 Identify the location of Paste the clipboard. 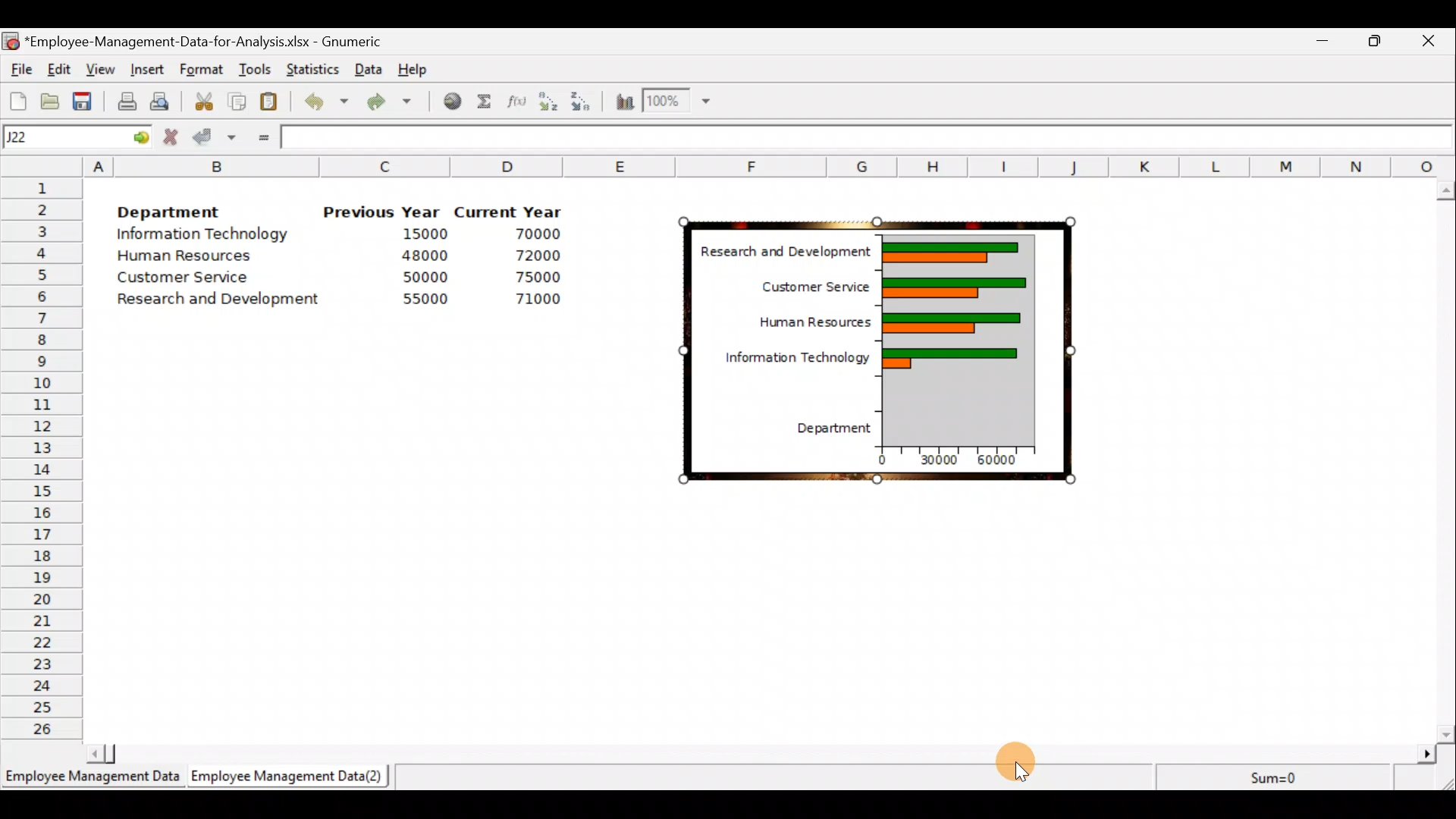
(273, 103).